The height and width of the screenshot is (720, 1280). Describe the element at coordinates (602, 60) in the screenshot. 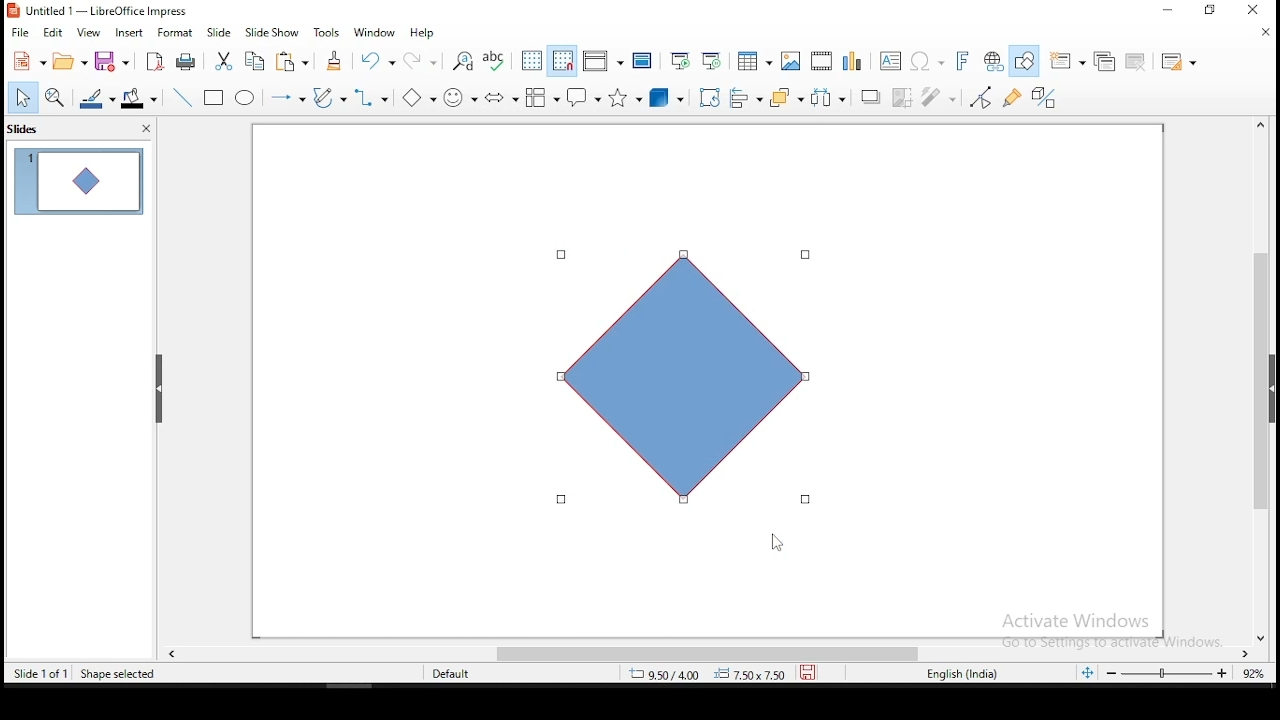

I see `display views` at that location.